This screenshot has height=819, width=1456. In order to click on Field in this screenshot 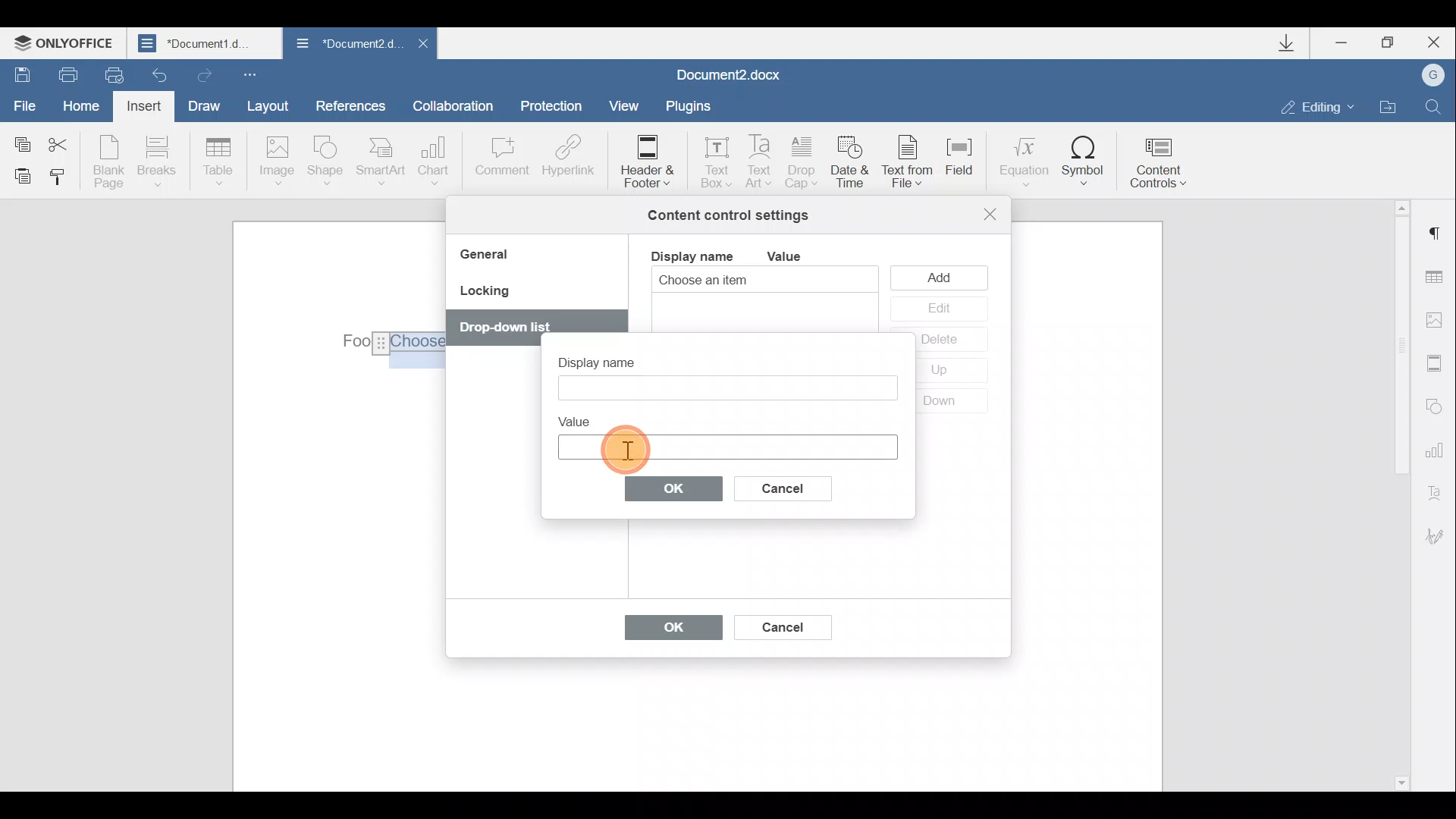, I will do `click(966, 166)`.